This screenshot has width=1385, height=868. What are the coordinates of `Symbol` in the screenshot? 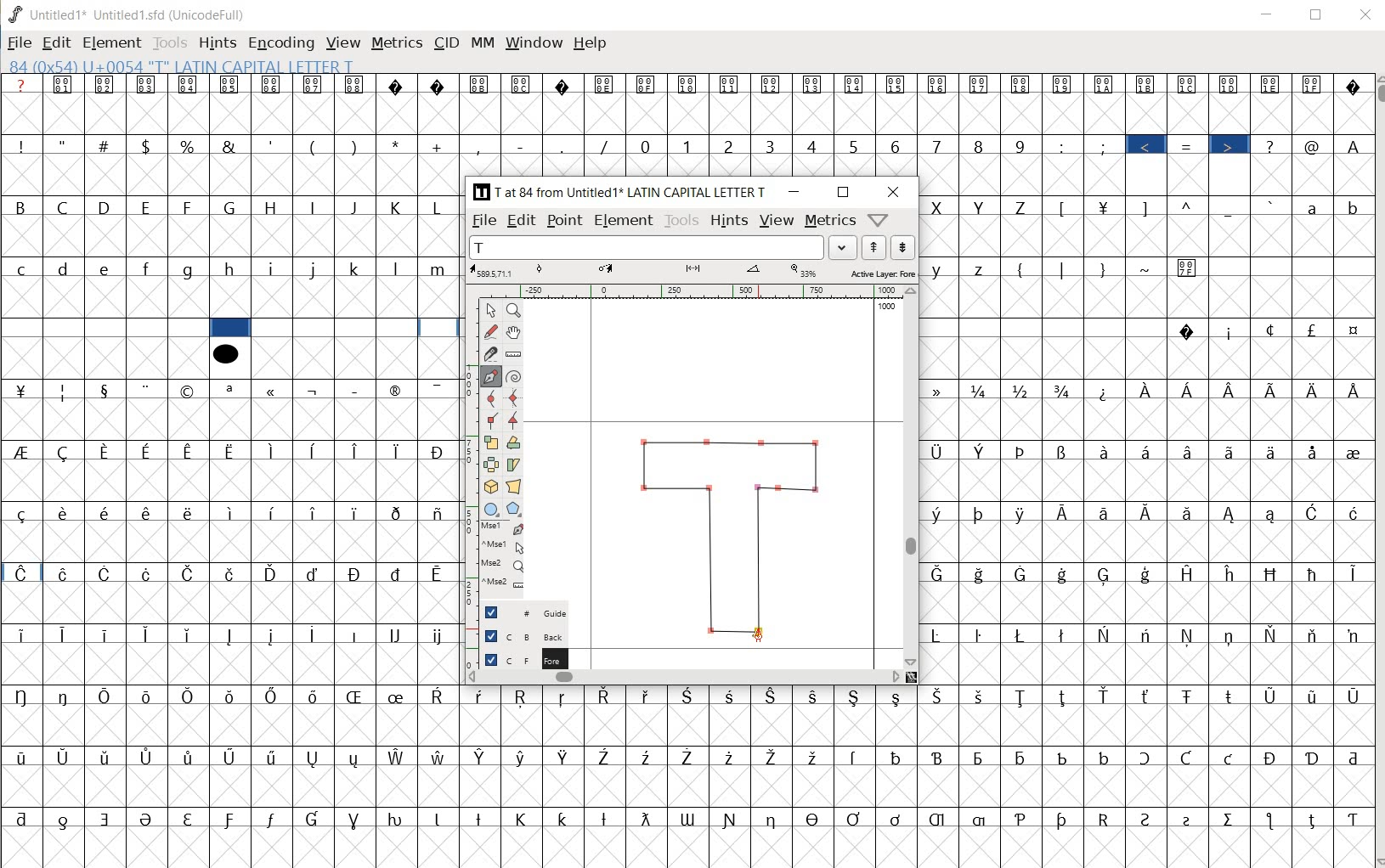 It's located at (232, 512).